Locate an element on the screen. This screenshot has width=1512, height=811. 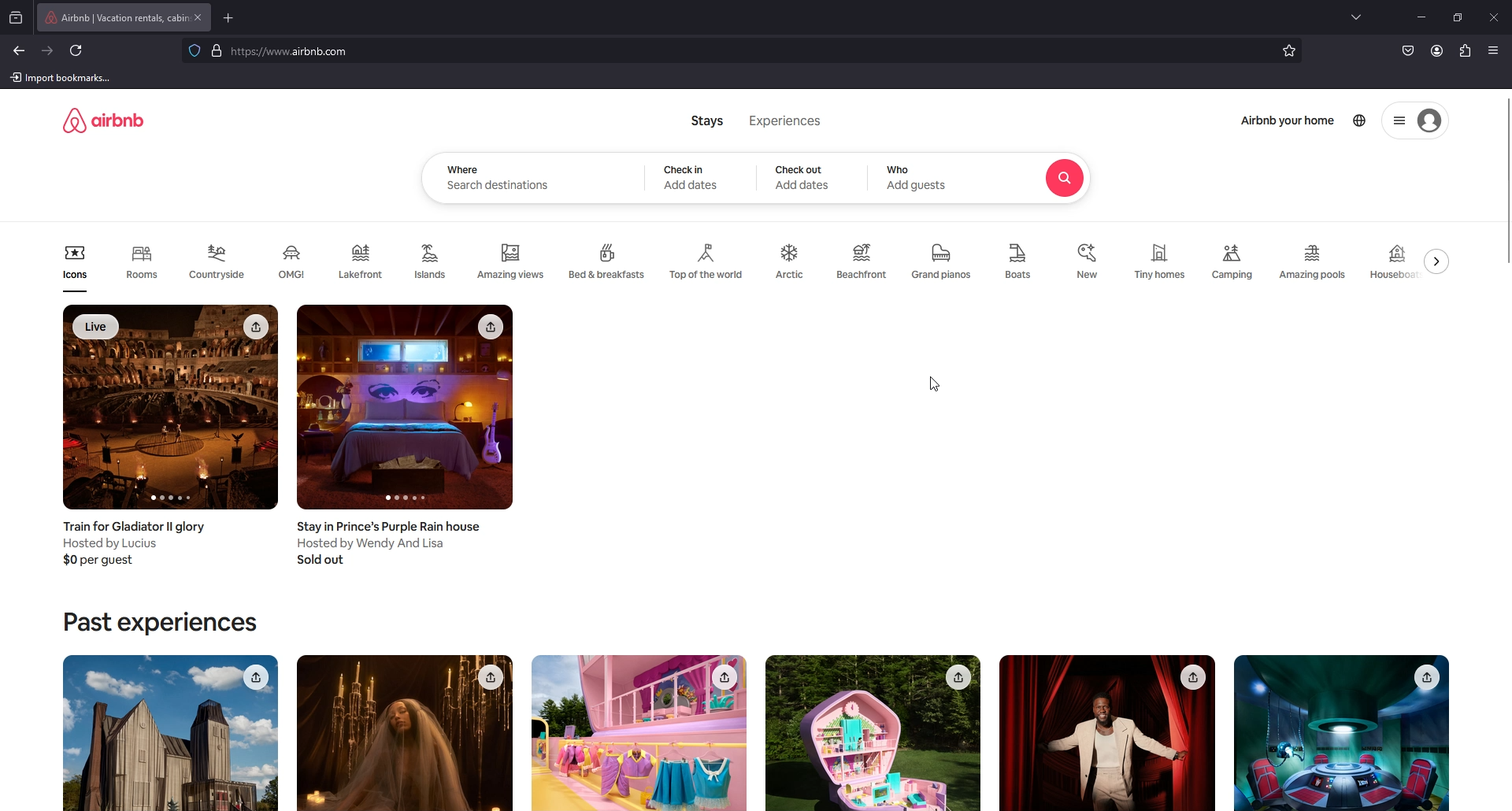
check in is located at coordinates (687, 168).